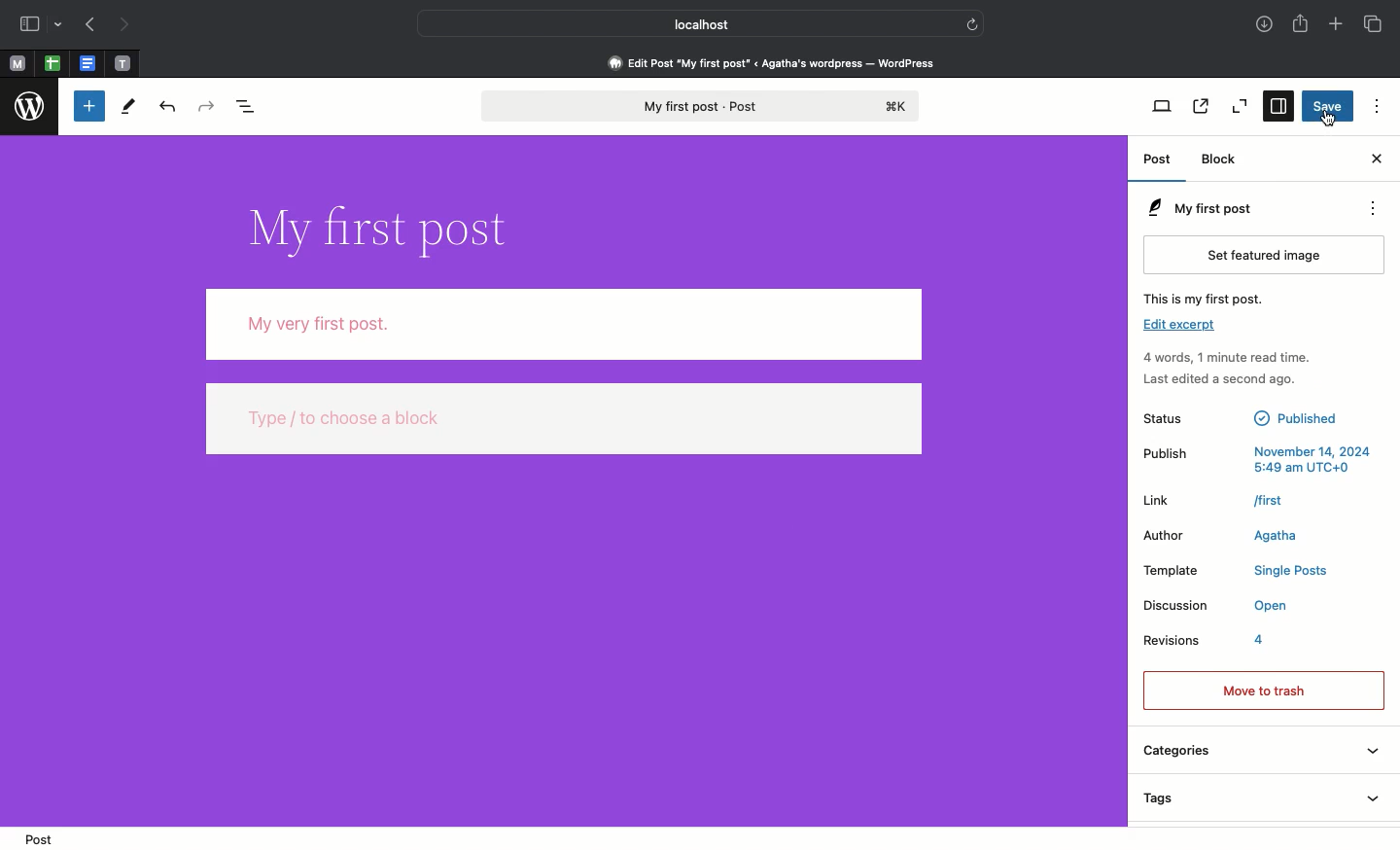  I want to click on Set featured image, so click(1268, 254).